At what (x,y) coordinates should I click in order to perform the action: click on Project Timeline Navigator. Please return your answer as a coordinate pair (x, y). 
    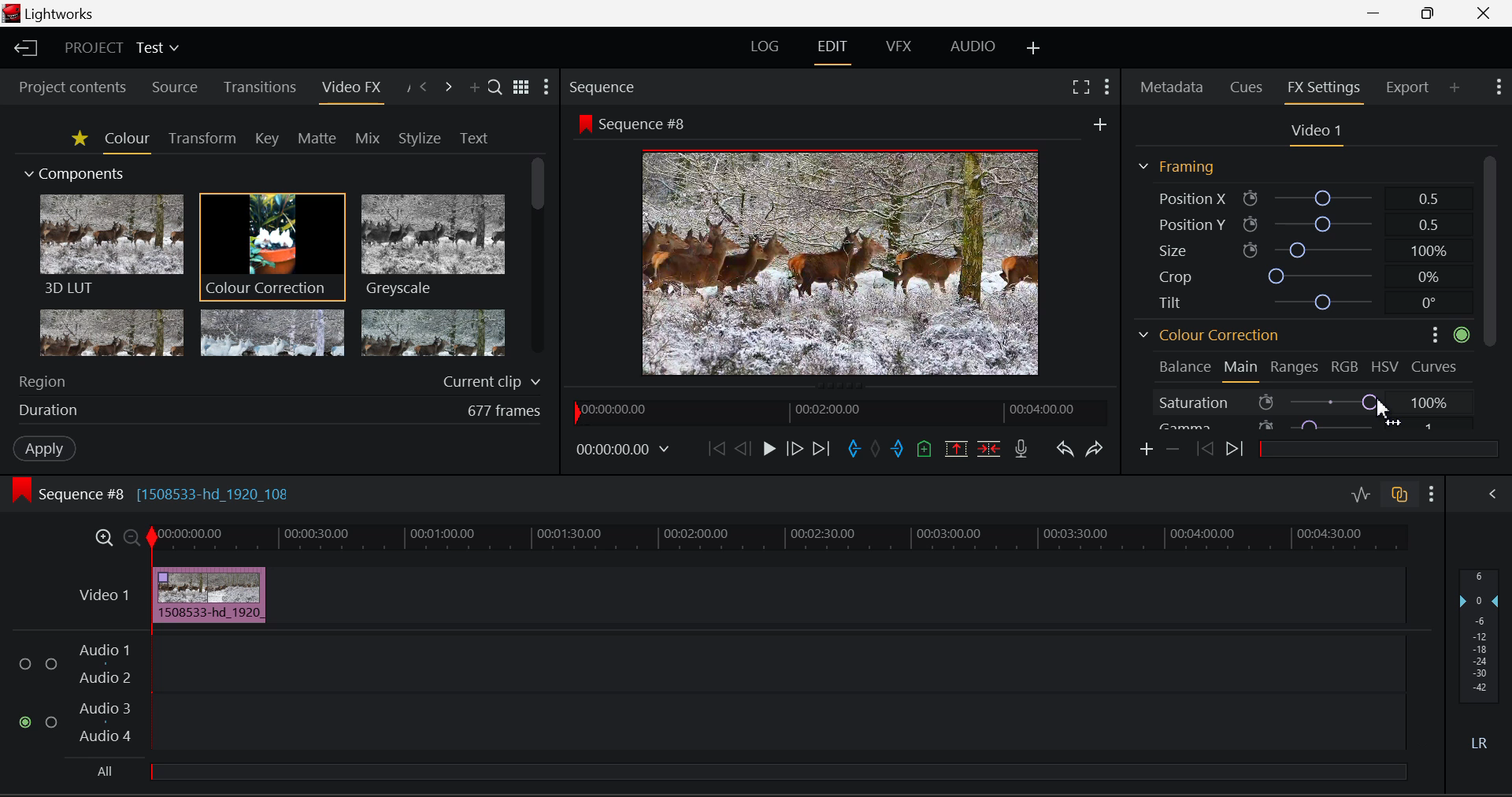
    Looking at the image, I should click on (841, 410).